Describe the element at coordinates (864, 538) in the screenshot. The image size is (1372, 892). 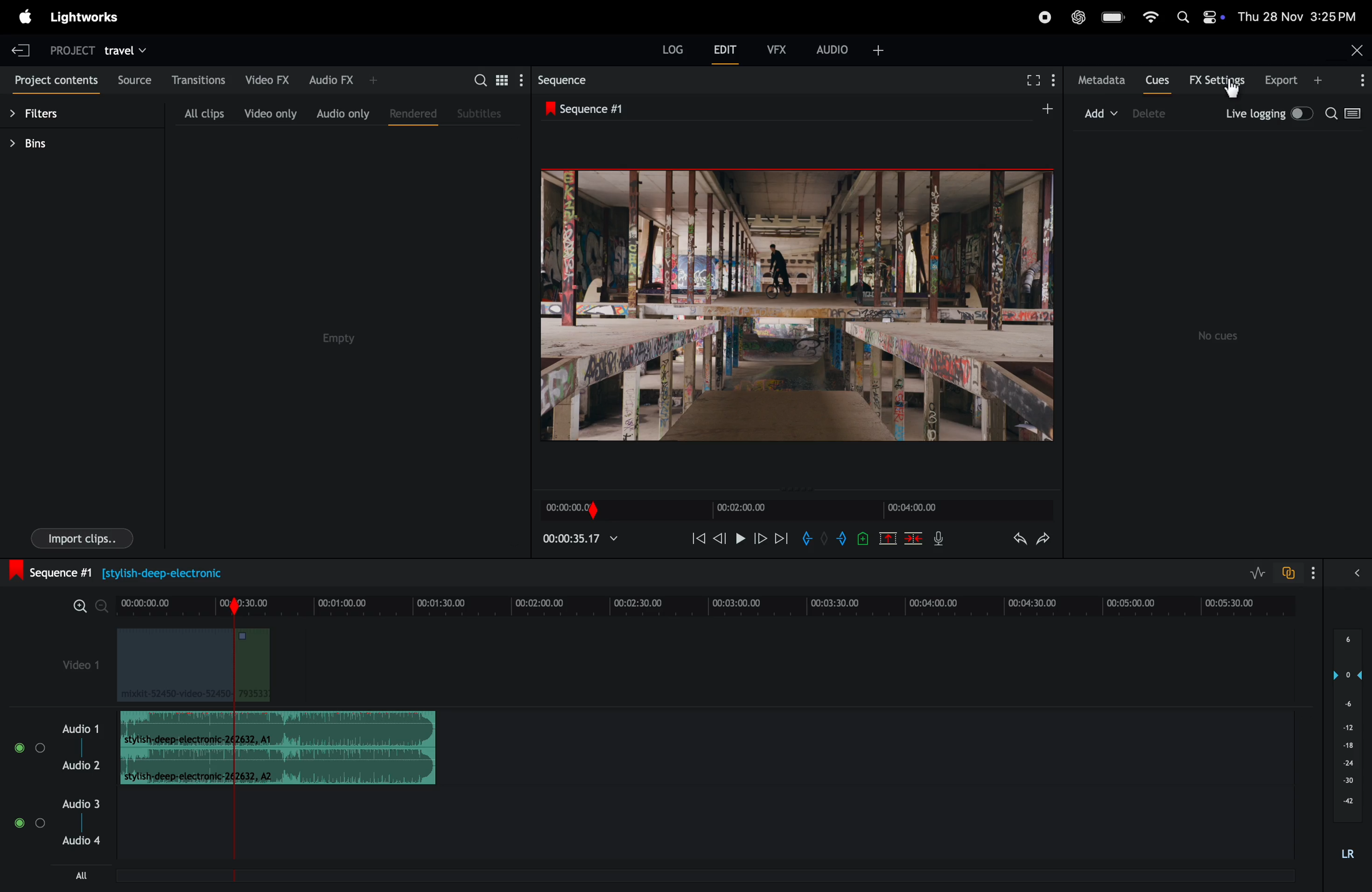
I see `add cue to current positon` at that location.